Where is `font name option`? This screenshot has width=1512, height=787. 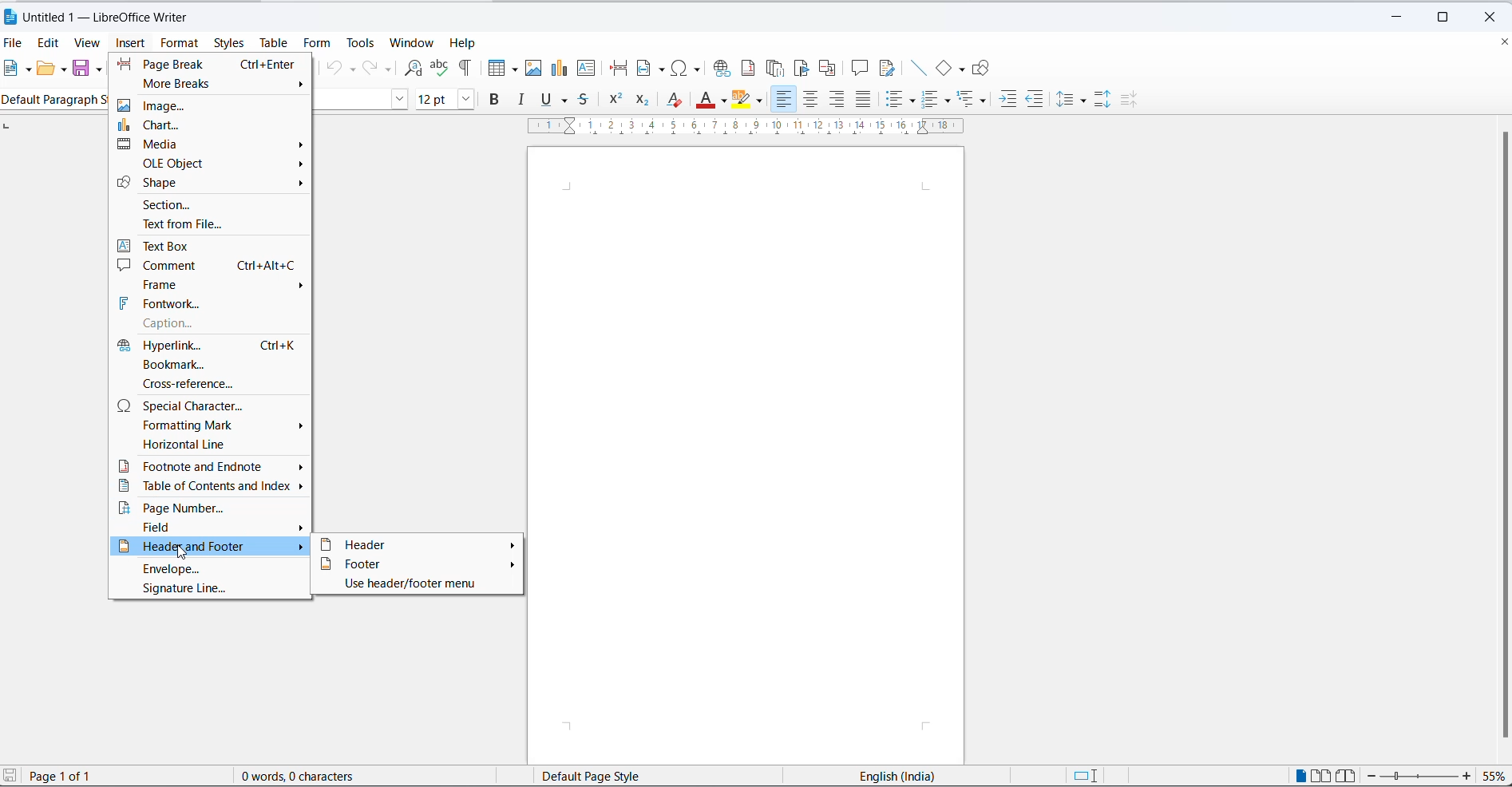 font name option is located at coordinates (398, 100).